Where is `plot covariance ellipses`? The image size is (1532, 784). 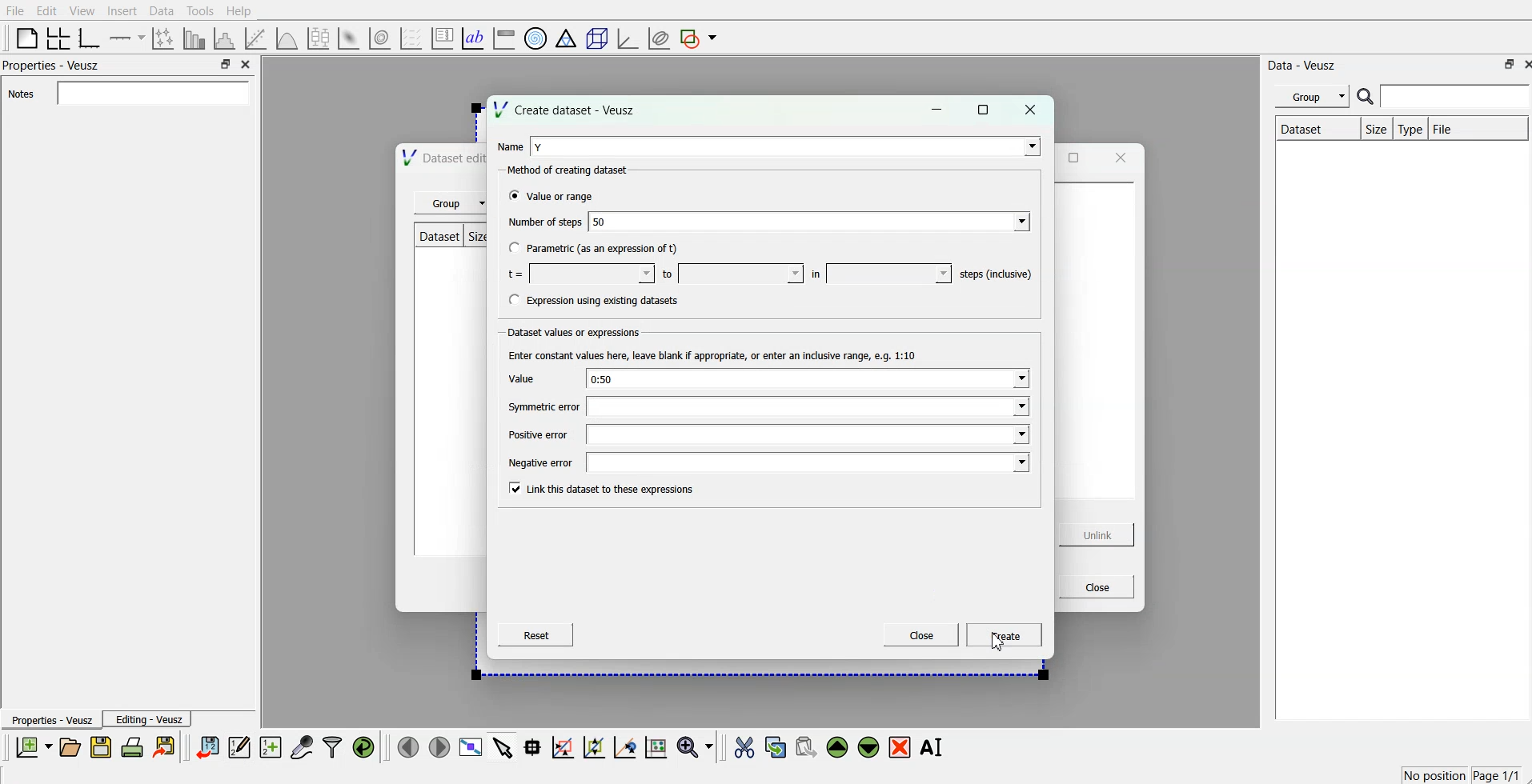
plot covariance ellipses is located at coordinates (658, 37).